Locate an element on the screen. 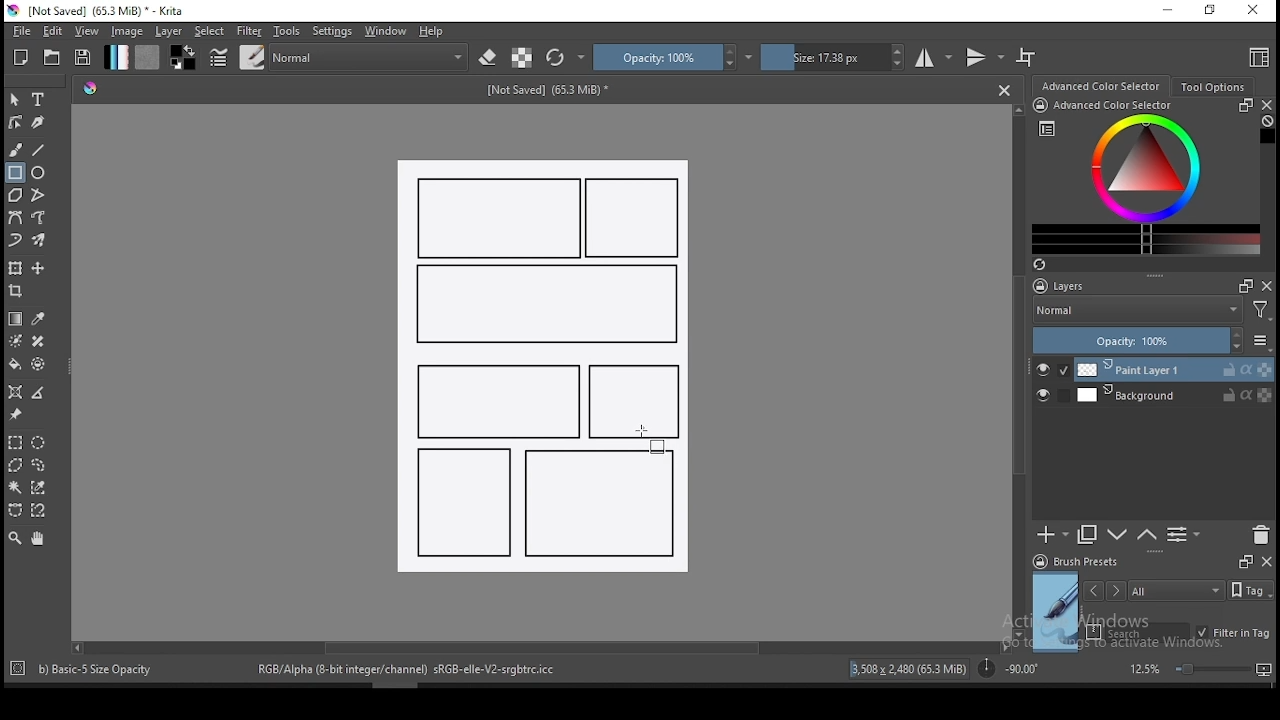 The width and height of the screenshot is (1280, 720). colors is located at coordinates (183, 57).